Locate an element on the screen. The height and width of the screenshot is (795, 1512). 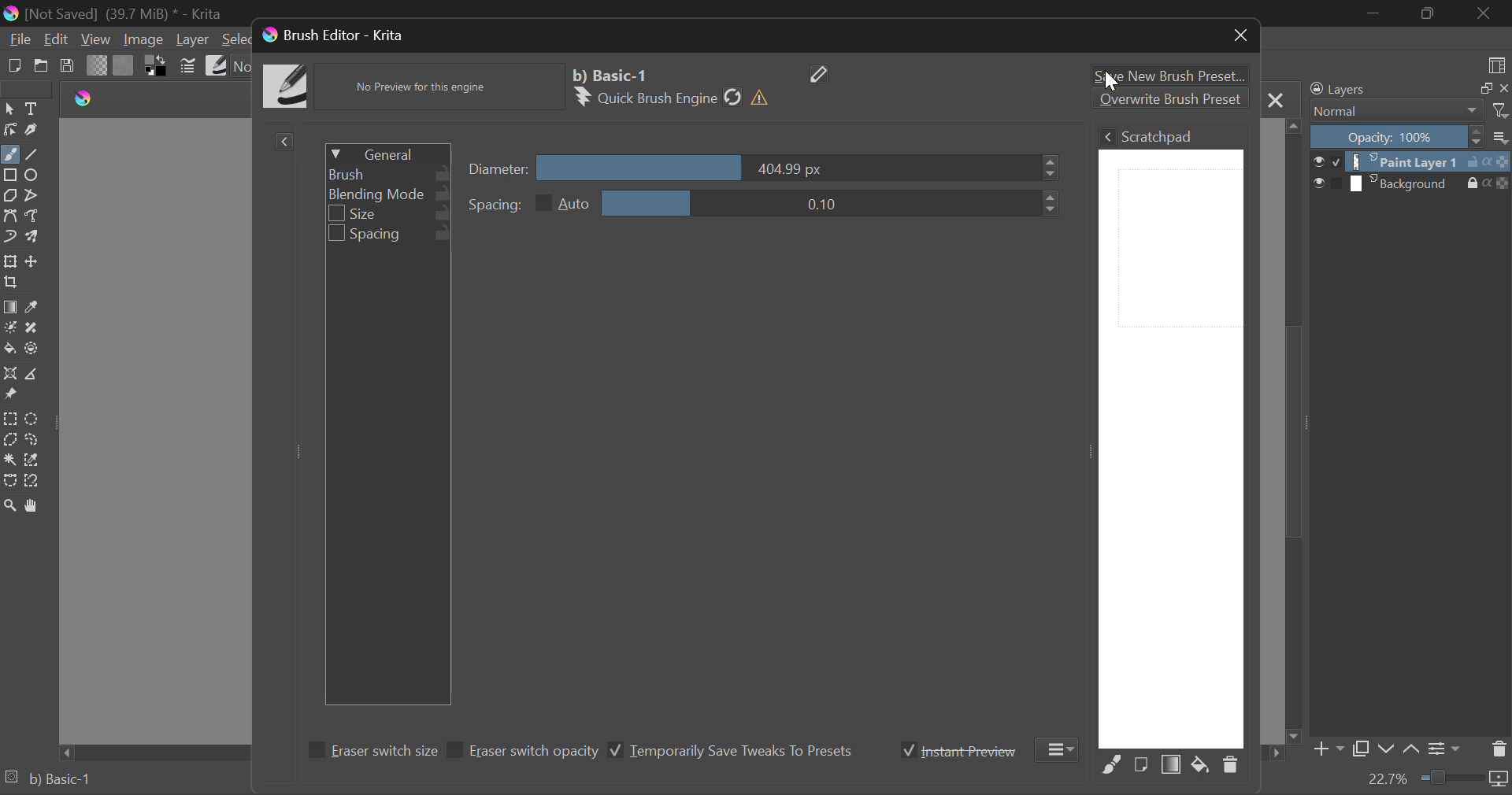
Text is located at coordinates (31, 109).